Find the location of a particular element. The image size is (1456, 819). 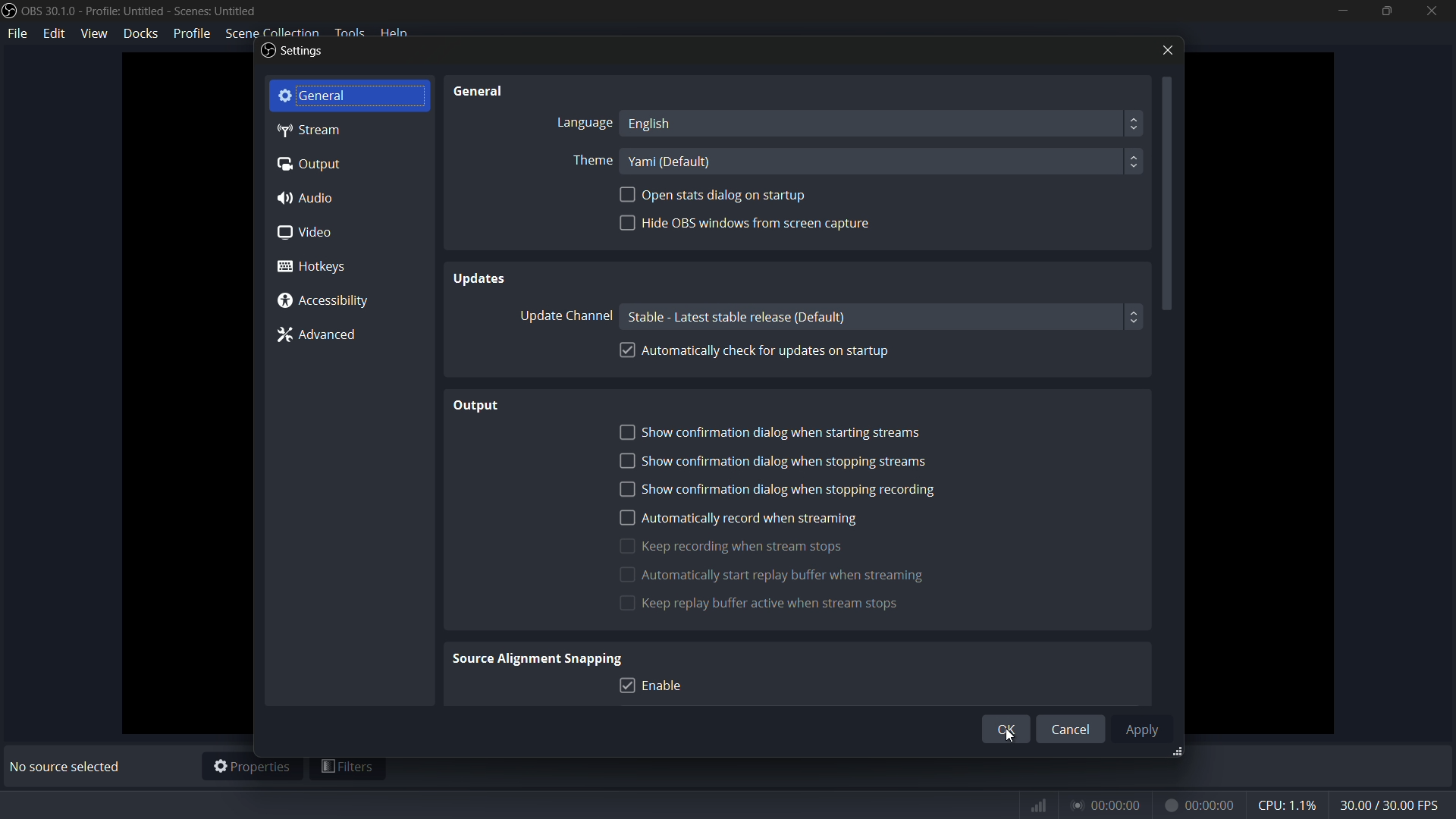

Video is located at coordinates (317, 234).